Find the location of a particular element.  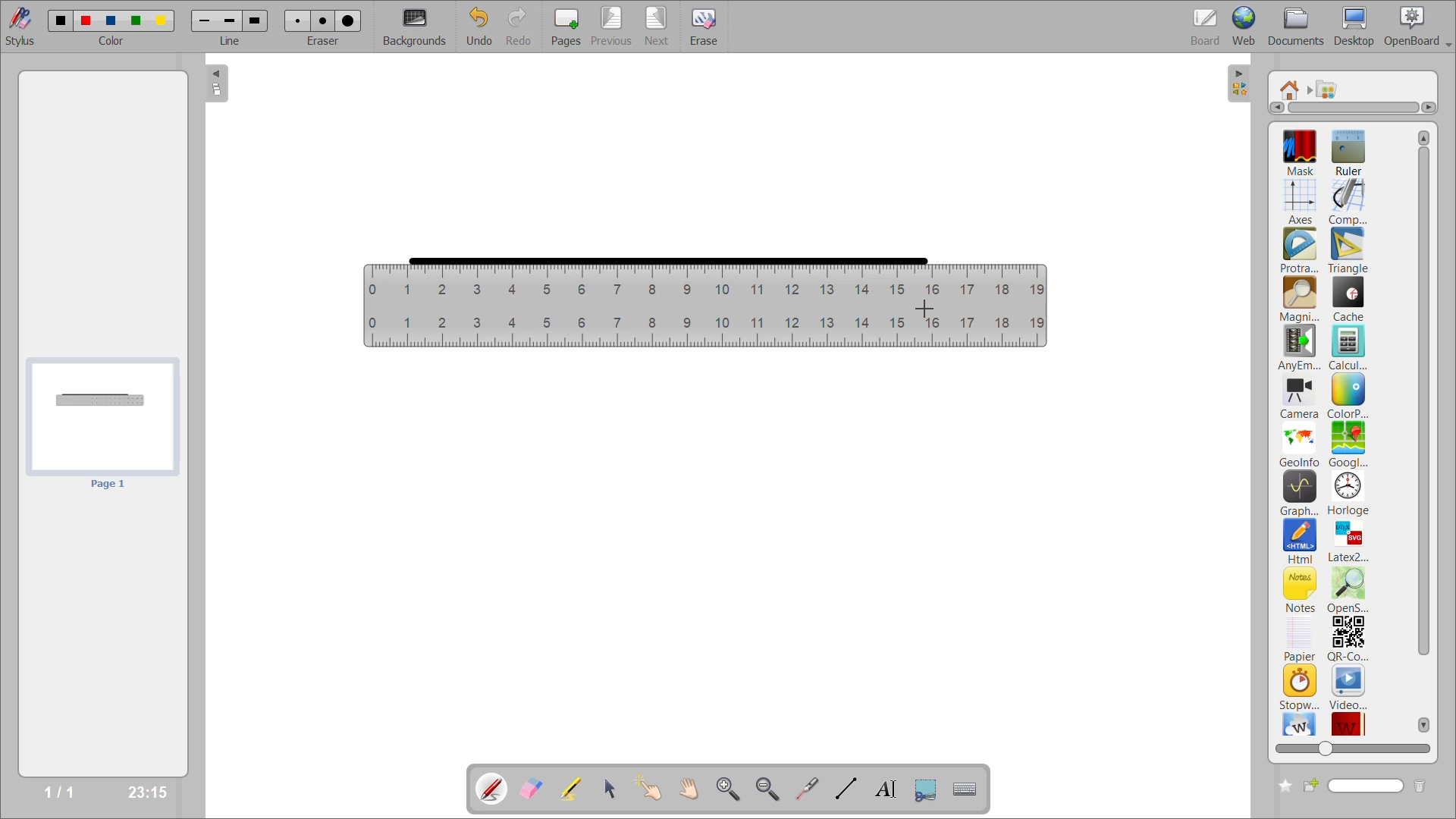

papier is located at coordinates (1299, 639).